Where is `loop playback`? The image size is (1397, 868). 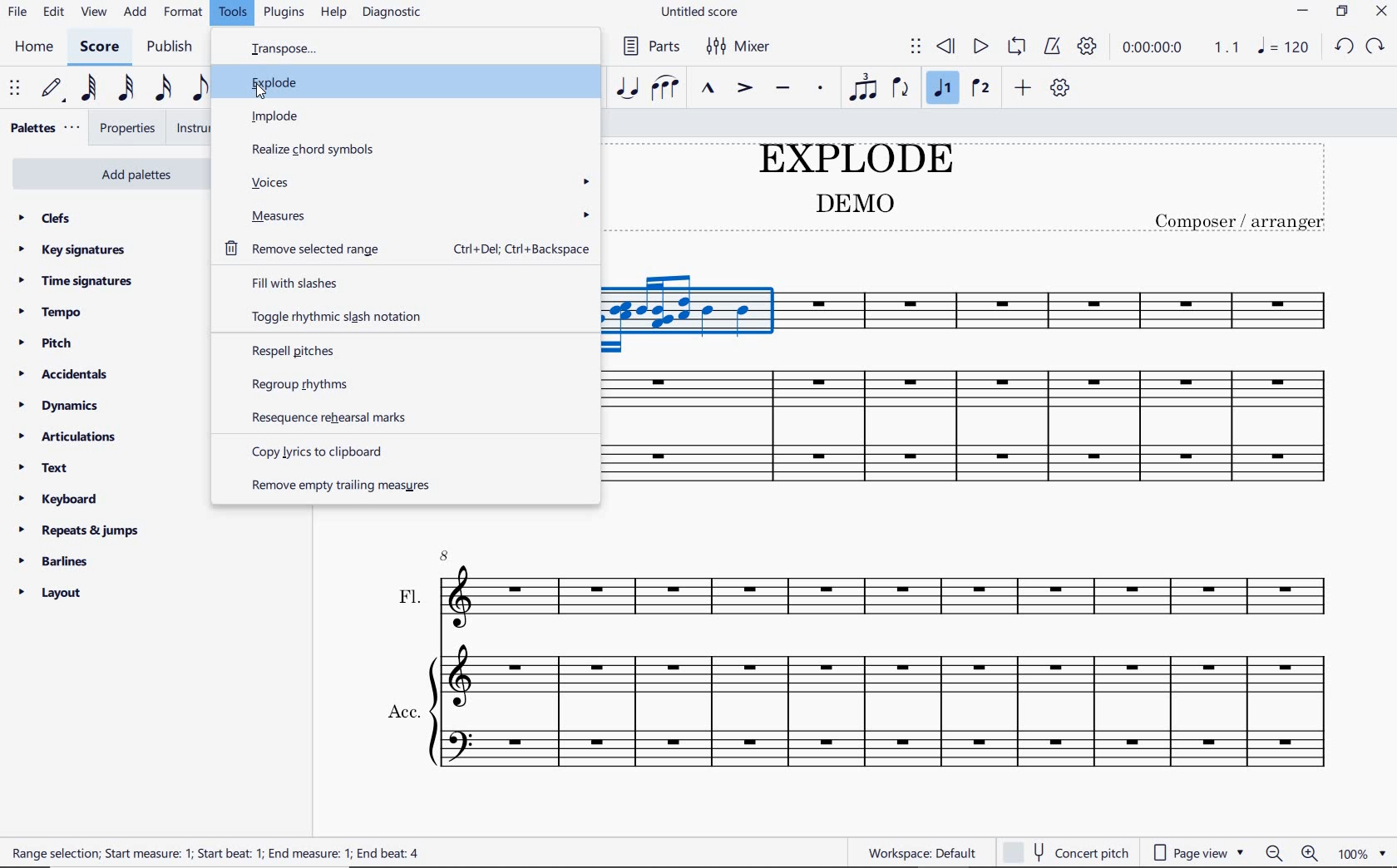
loop playback is located at coordinates (1016, 48).